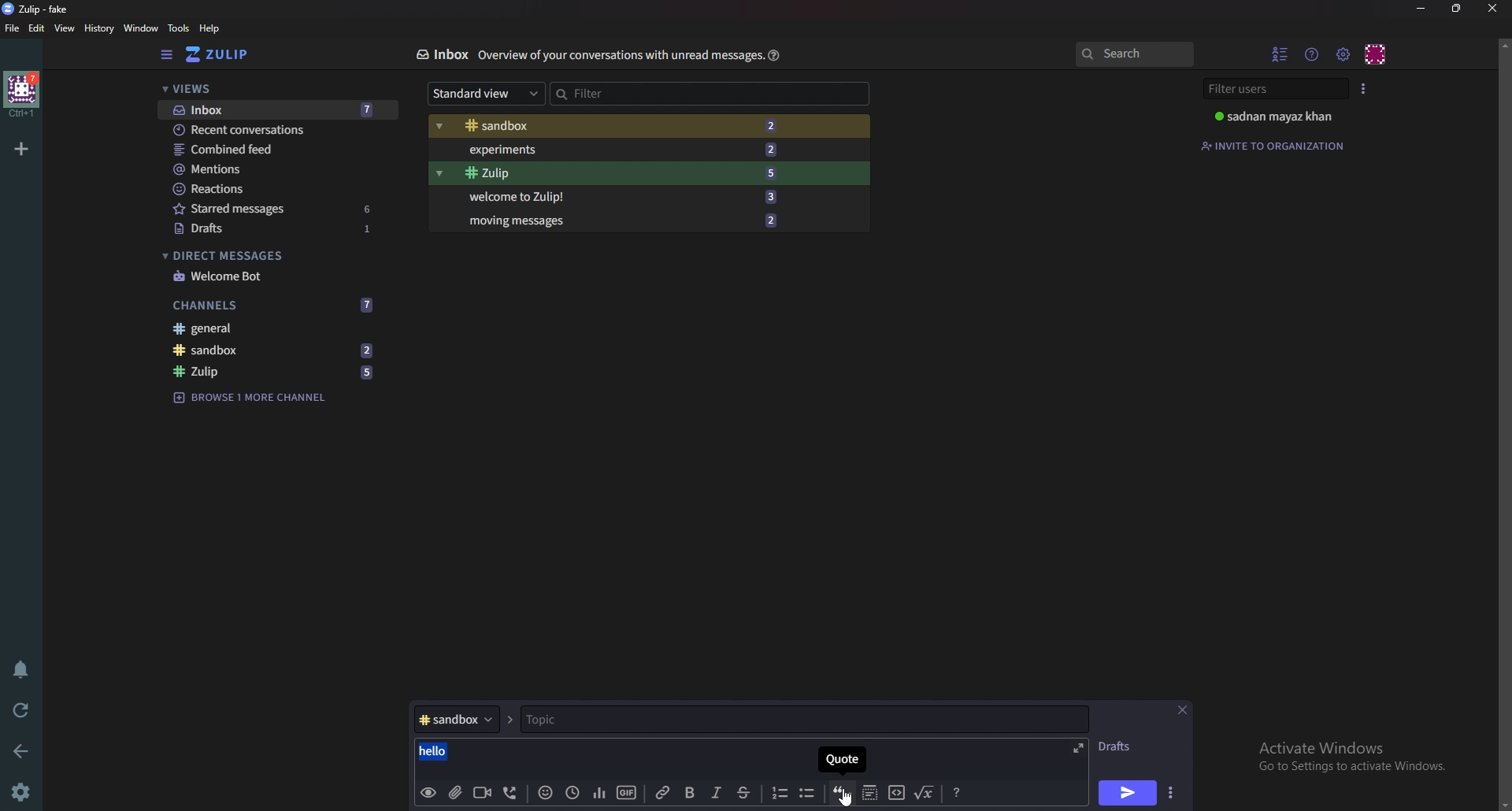 This screenshot has width=1512, height=811. What do you see at coordinates (776, 148) in the screenshot?
I see `2` at bounding box center [776, 148].